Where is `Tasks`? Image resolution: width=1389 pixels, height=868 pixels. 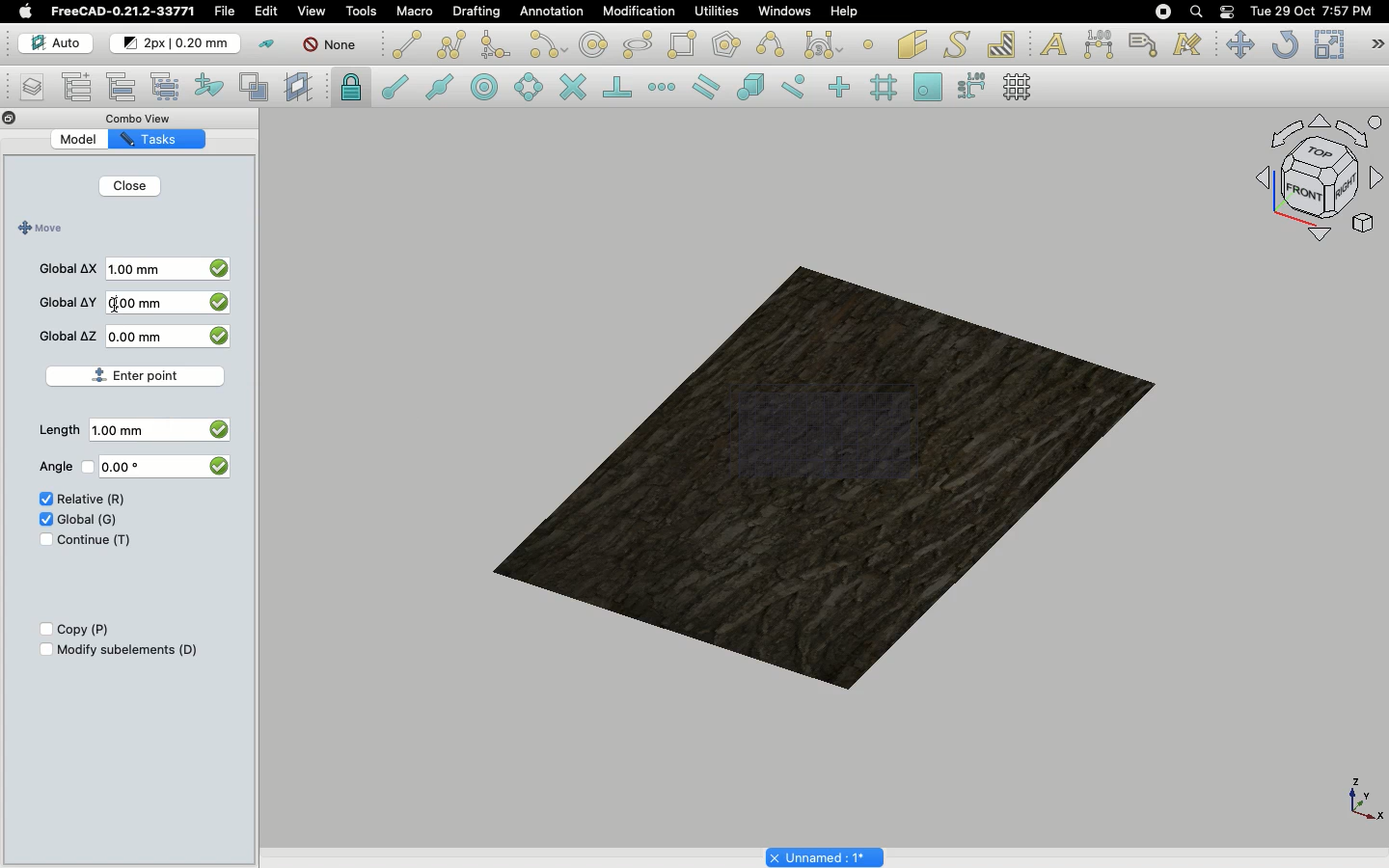
Tasks is located at coordinates (168, 138).